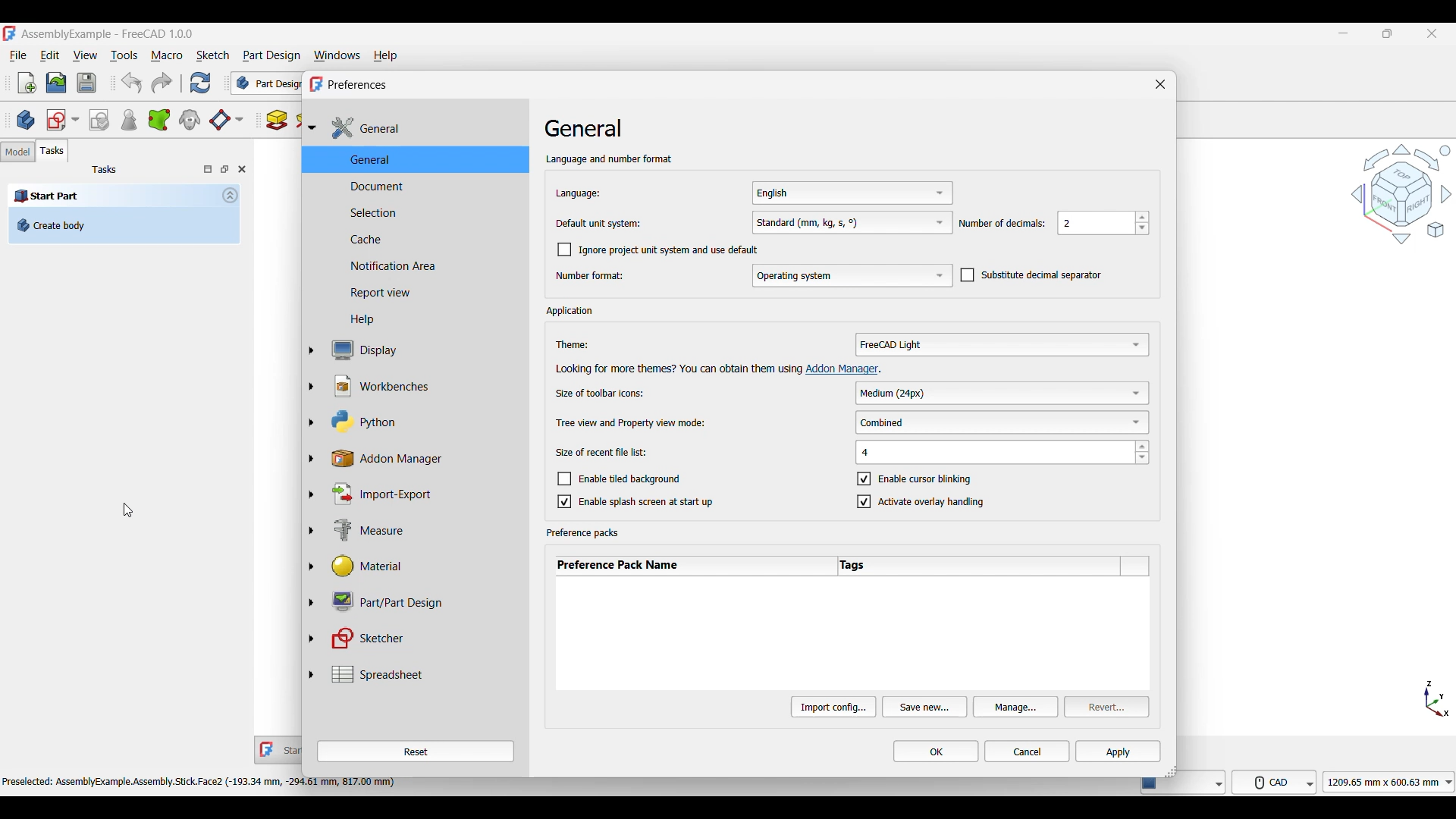 Image resolution: width=1456 pixels, height=819 pixels. Describe the element at coordinates (208, 169) in the screenshot. I see `Toggle overlay` at that location.